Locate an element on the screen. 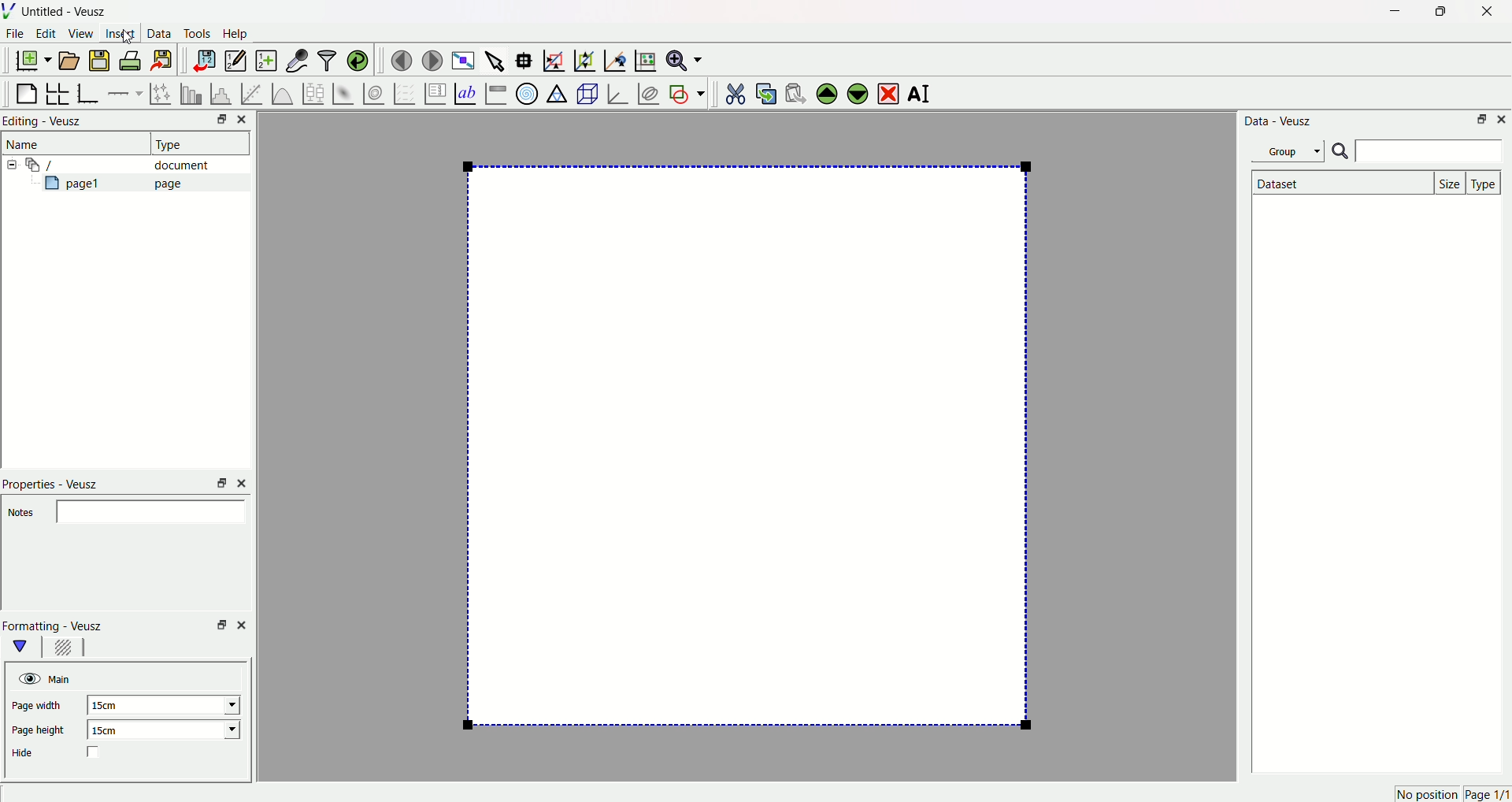 Image resolution: width=1512 pixels, height=802 pixels. Data is located at coordinates (160, 35).